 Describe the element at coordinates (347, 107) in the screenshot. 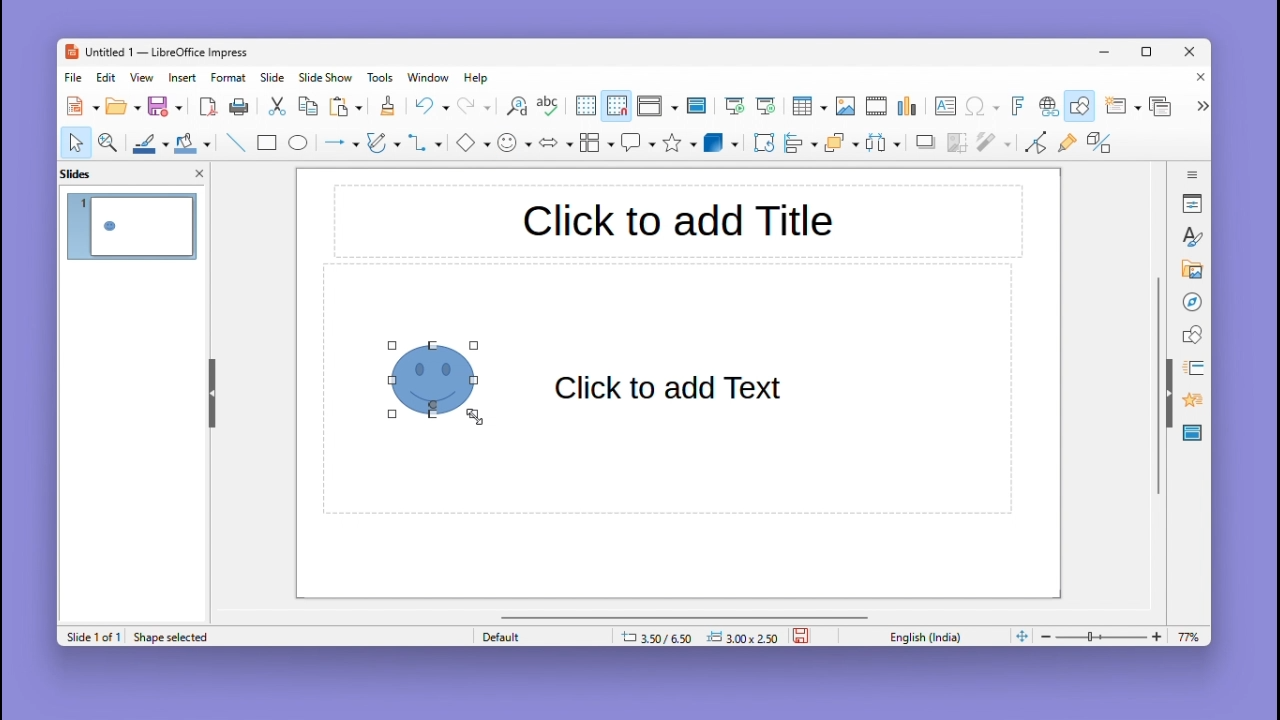

I see `paste` at that location.